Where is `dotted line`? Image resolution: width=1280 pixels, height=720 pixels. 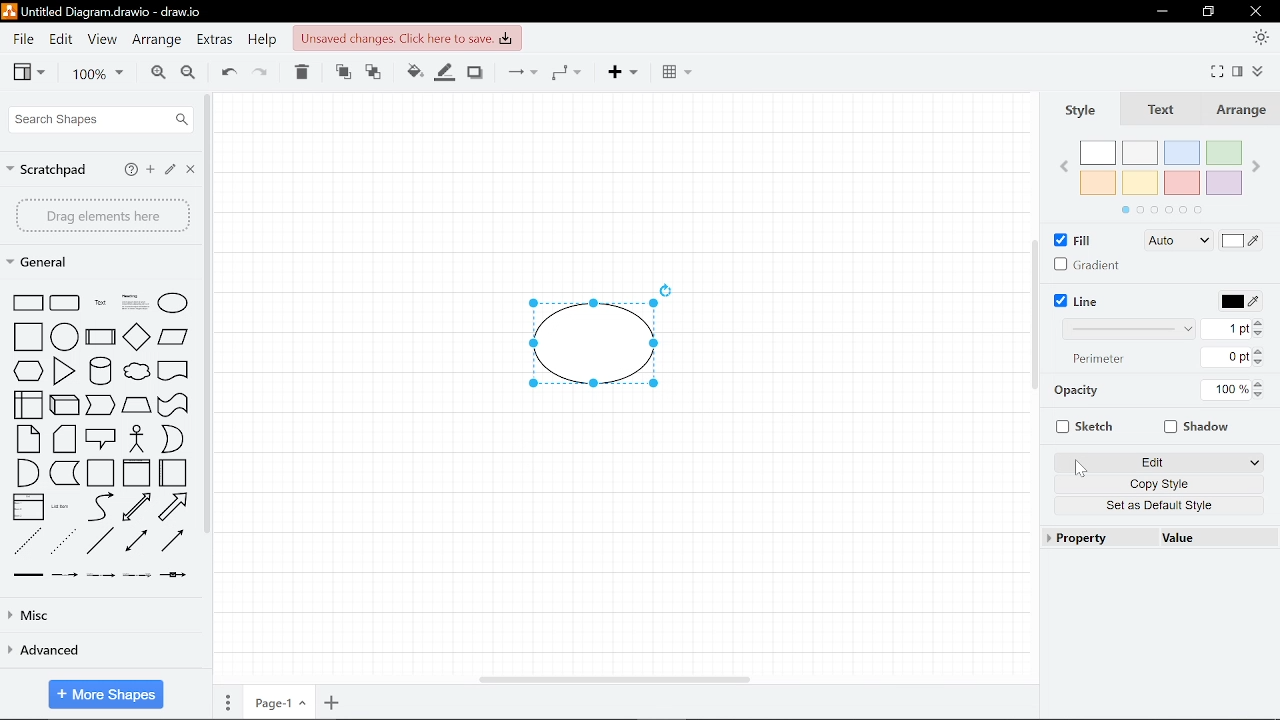
dotted line is located at coordinates (63, 540).